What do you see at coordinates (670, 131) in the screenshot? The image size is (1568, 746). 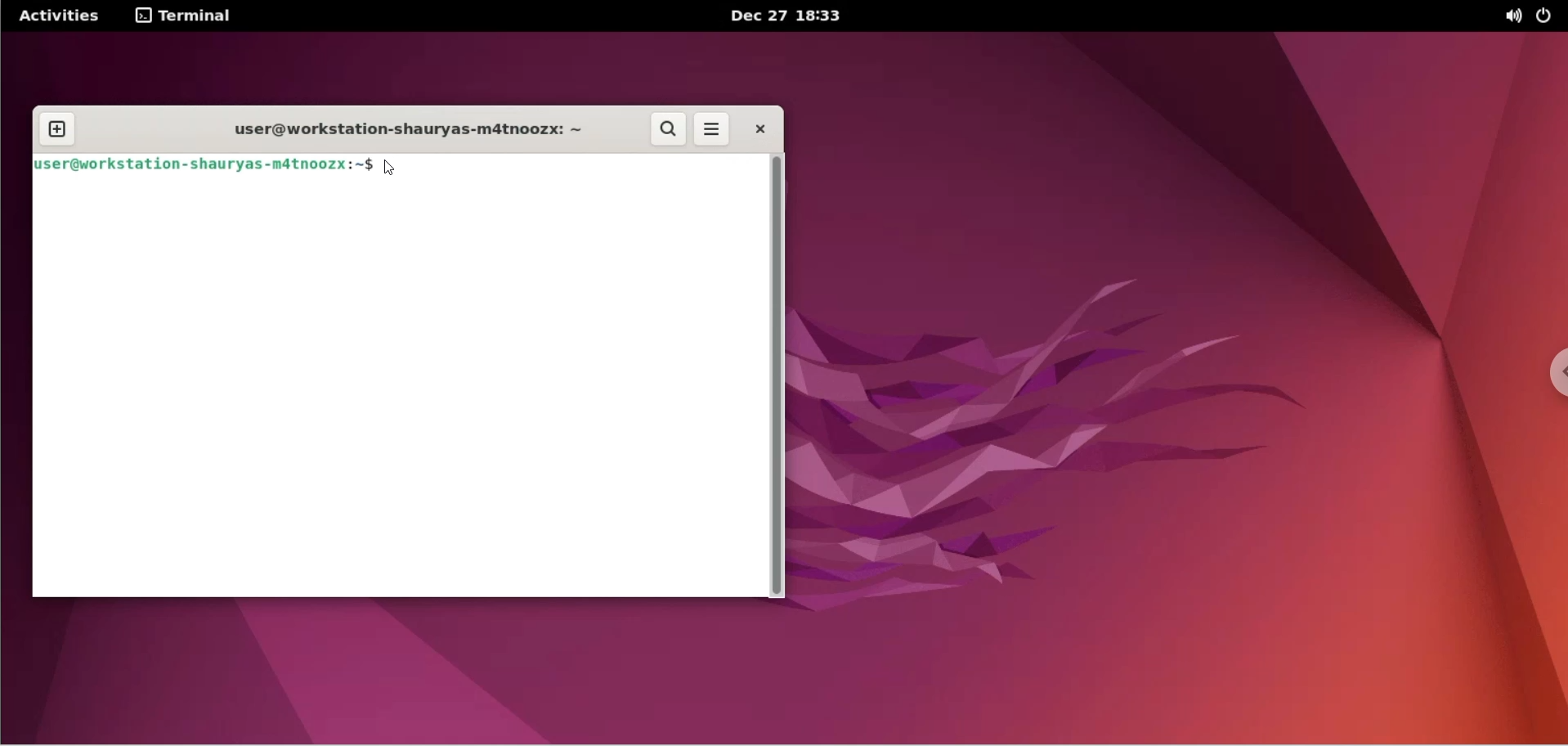 I see `search` at bounding box center [670, 131].